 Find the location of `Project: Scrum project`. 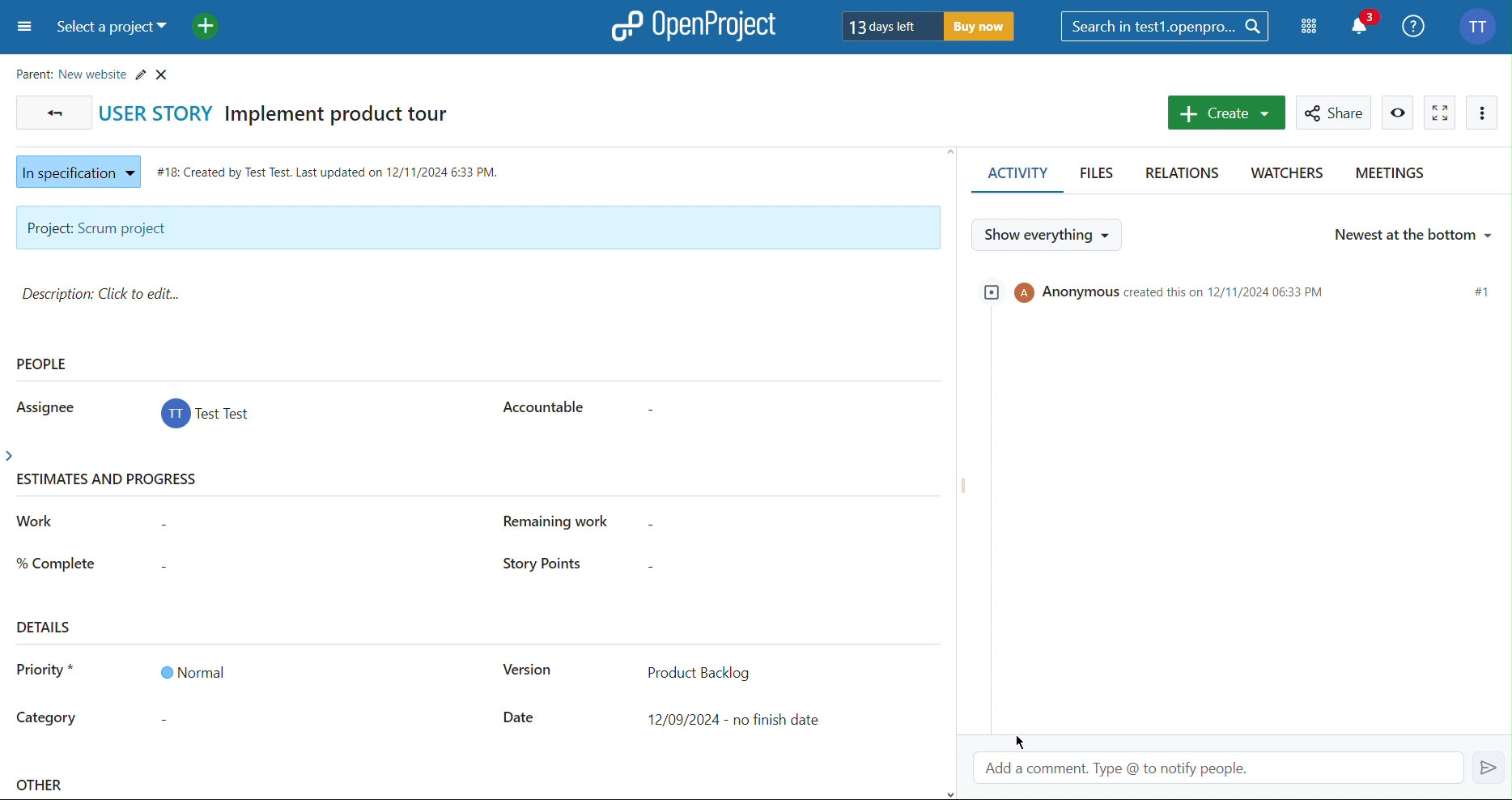

Project: Scrum project is located at coordinates (476, 228).